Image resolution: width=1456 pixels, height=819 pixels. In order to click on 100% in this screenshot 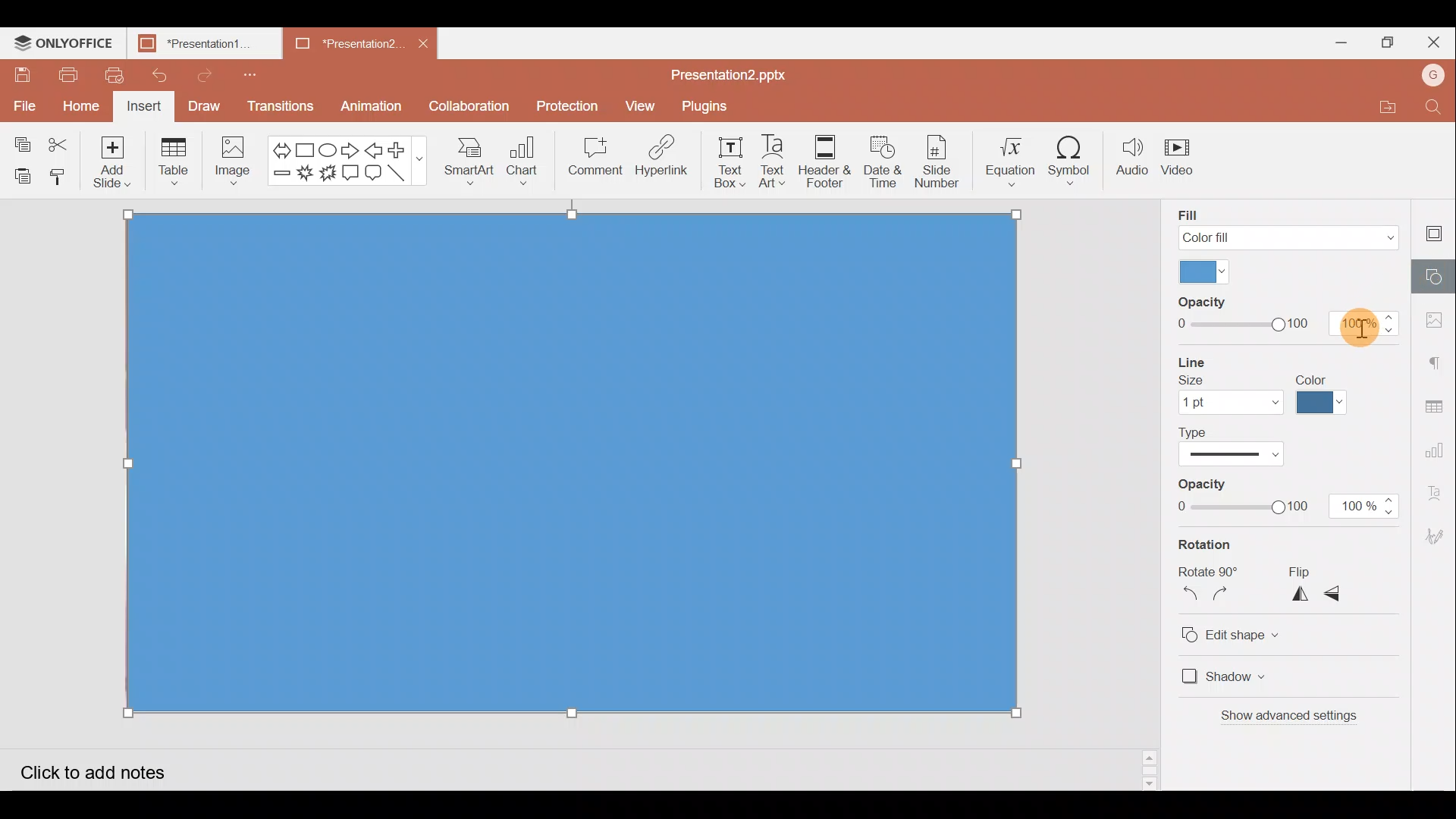, I will do `click(1363, 318)`.